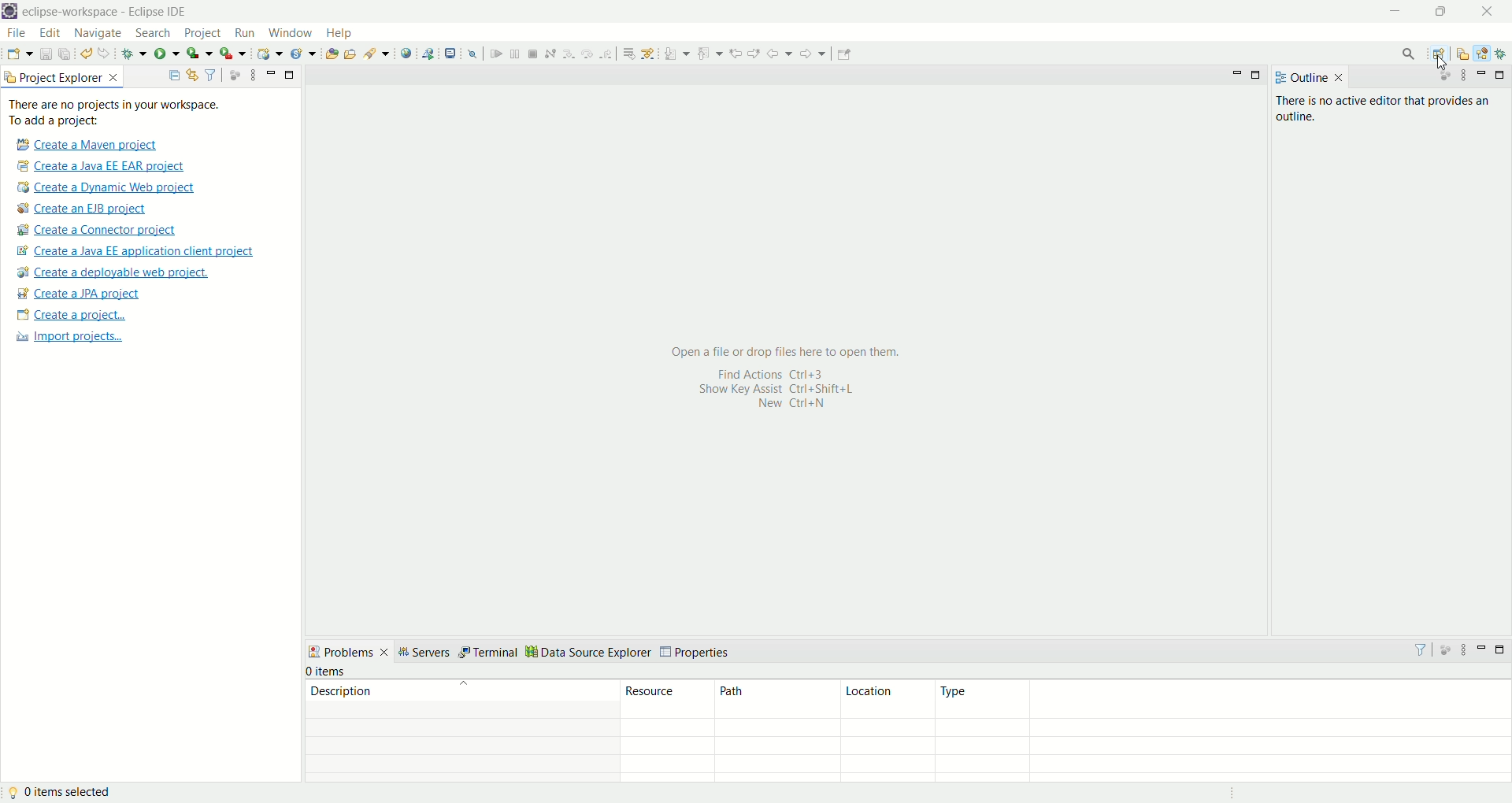 The image size is (1512, 803). I want to click on maximize, so click(1503, 651).